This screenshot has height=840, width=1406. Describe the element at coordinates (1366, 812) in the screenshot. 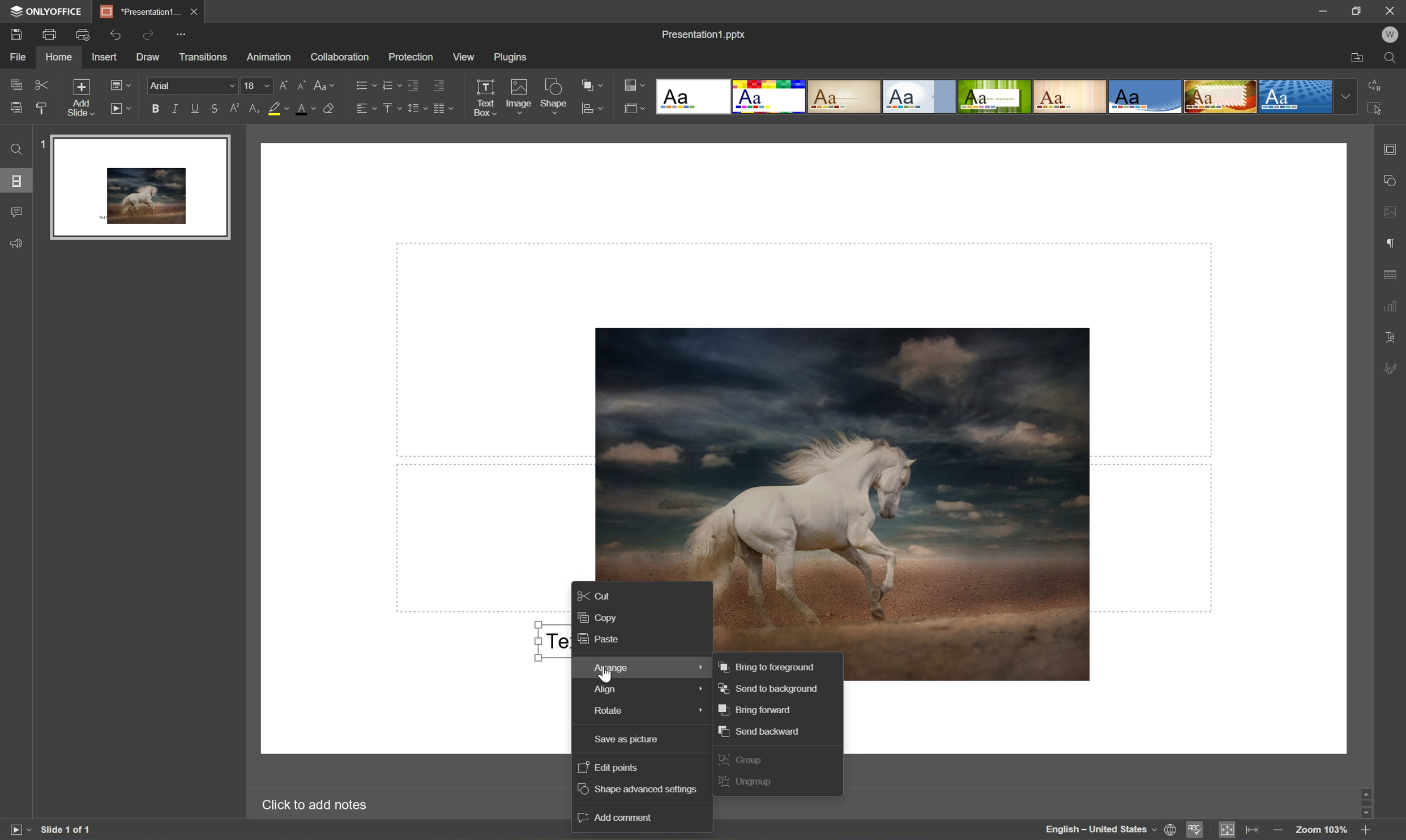

I see `Scroll Down` at that location.